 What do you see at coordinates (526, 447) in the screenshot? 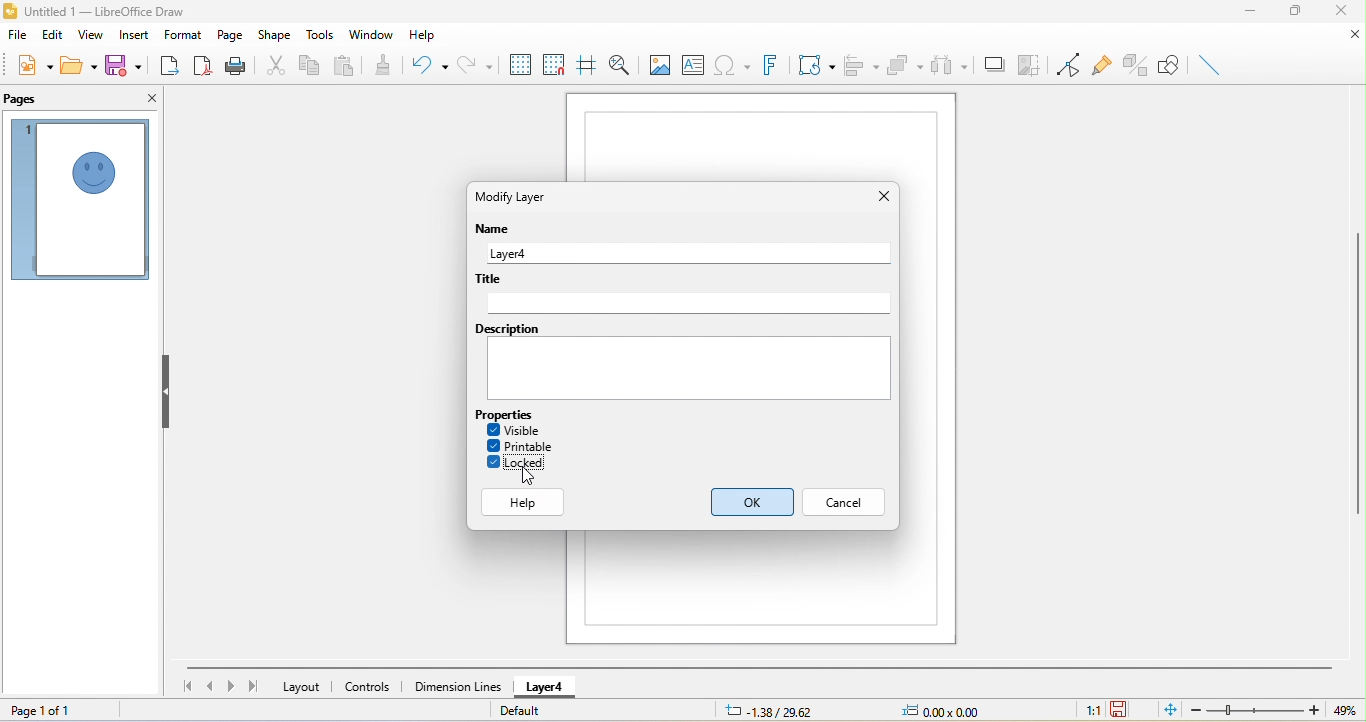
I see `printable` at bounding box center [526, 447].